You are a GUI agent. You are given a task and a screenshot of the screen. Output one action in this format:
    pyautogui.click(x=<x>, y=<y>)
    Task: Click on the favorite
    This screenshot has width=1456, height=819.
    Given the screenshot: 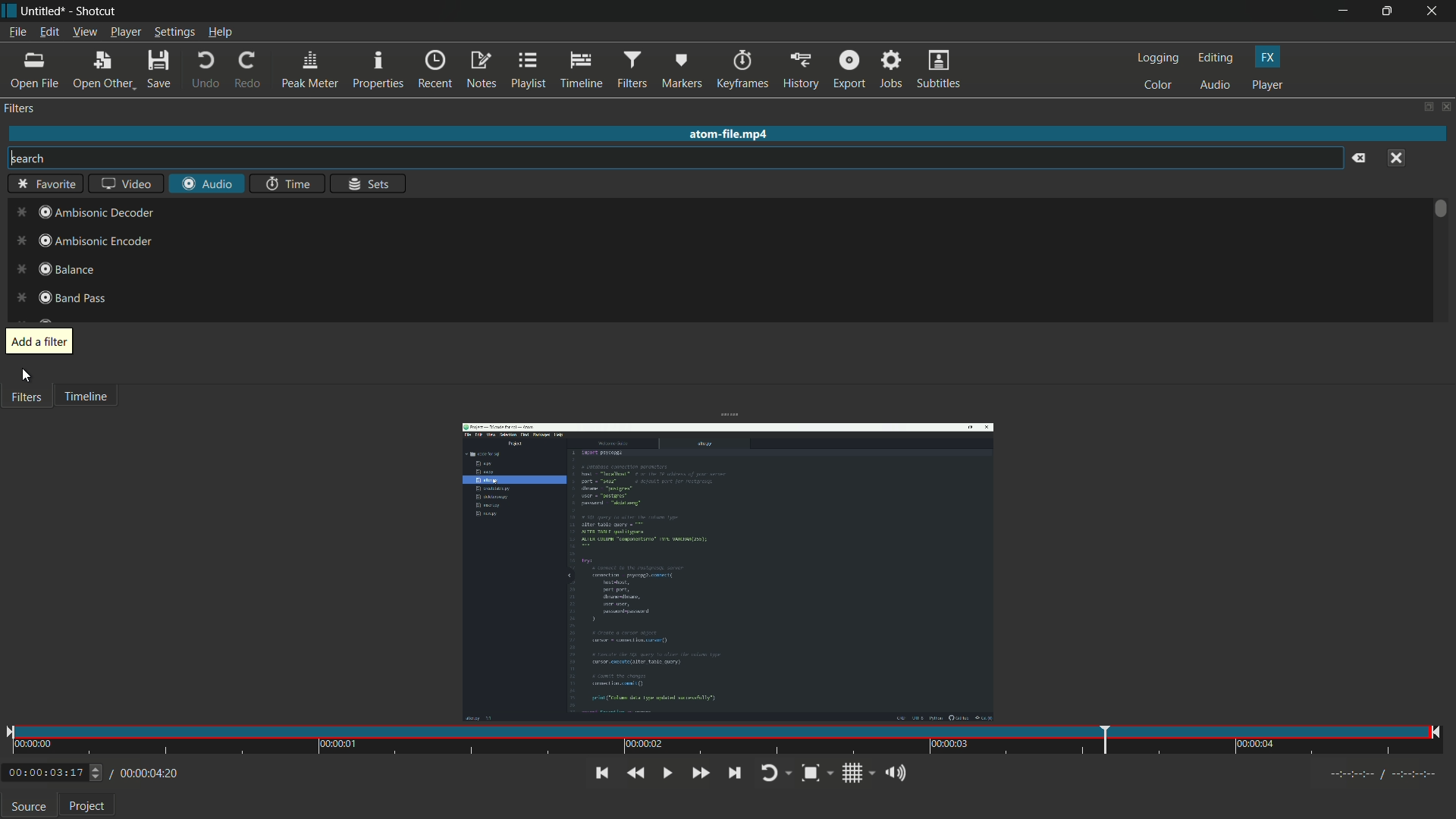 What is the action you would take?
    pyautogui.click(x=44, y=183)
    